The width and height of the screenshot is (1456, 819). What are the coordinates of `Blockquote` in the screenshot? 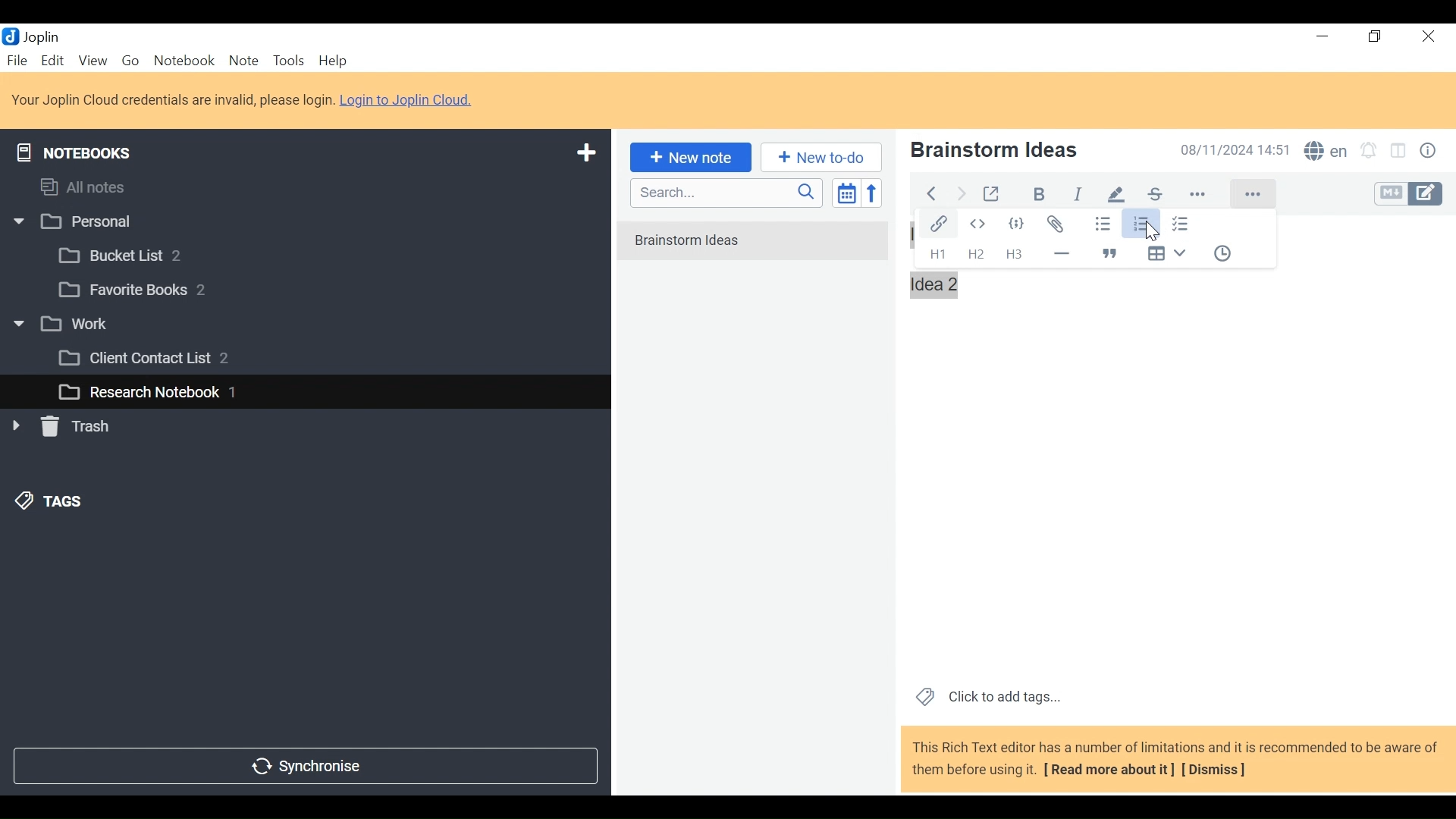 It's located at (1111, 253).